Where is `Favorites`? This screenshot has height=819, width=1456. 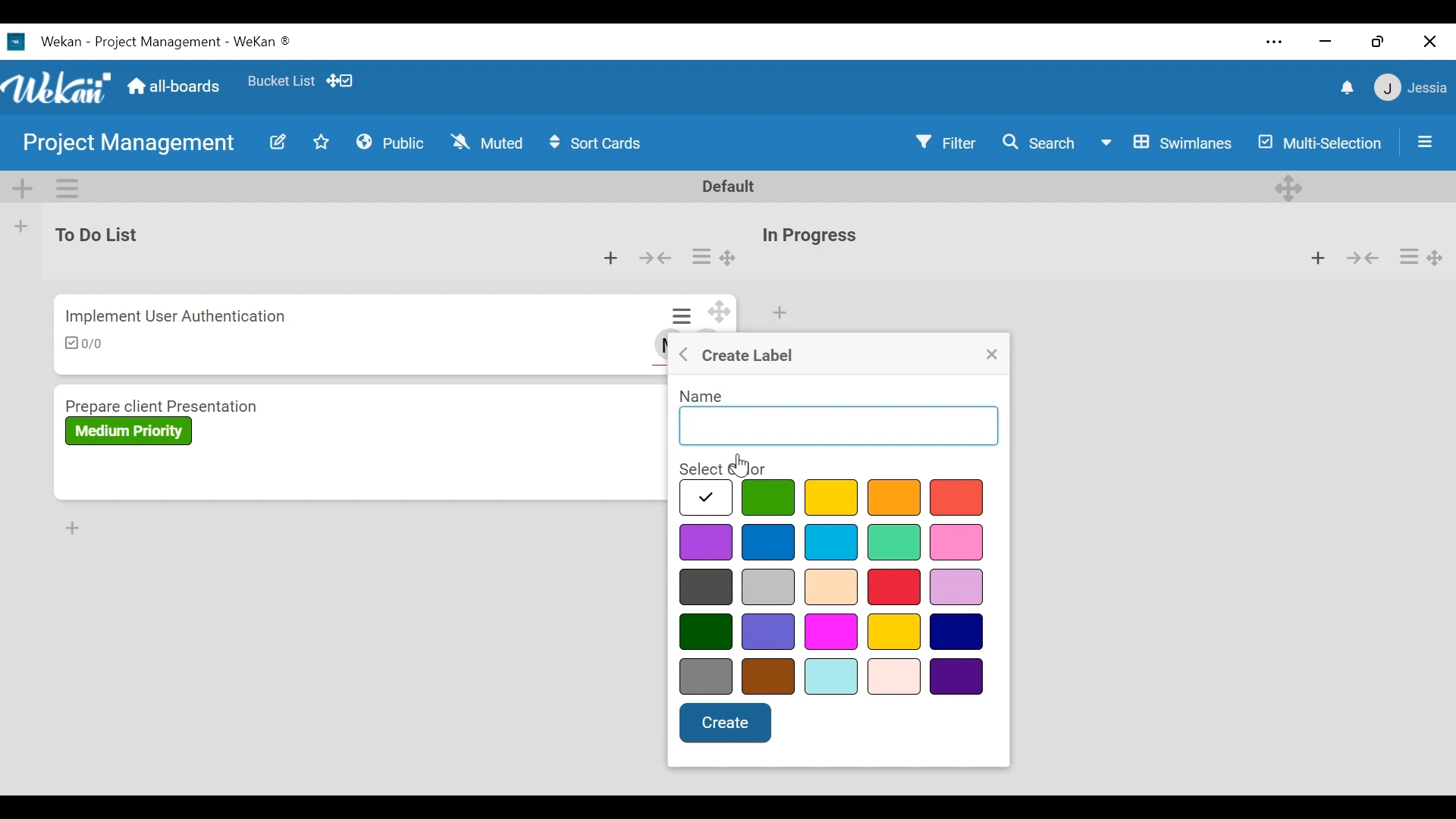
Favorites is located at coordinates (322, 141).